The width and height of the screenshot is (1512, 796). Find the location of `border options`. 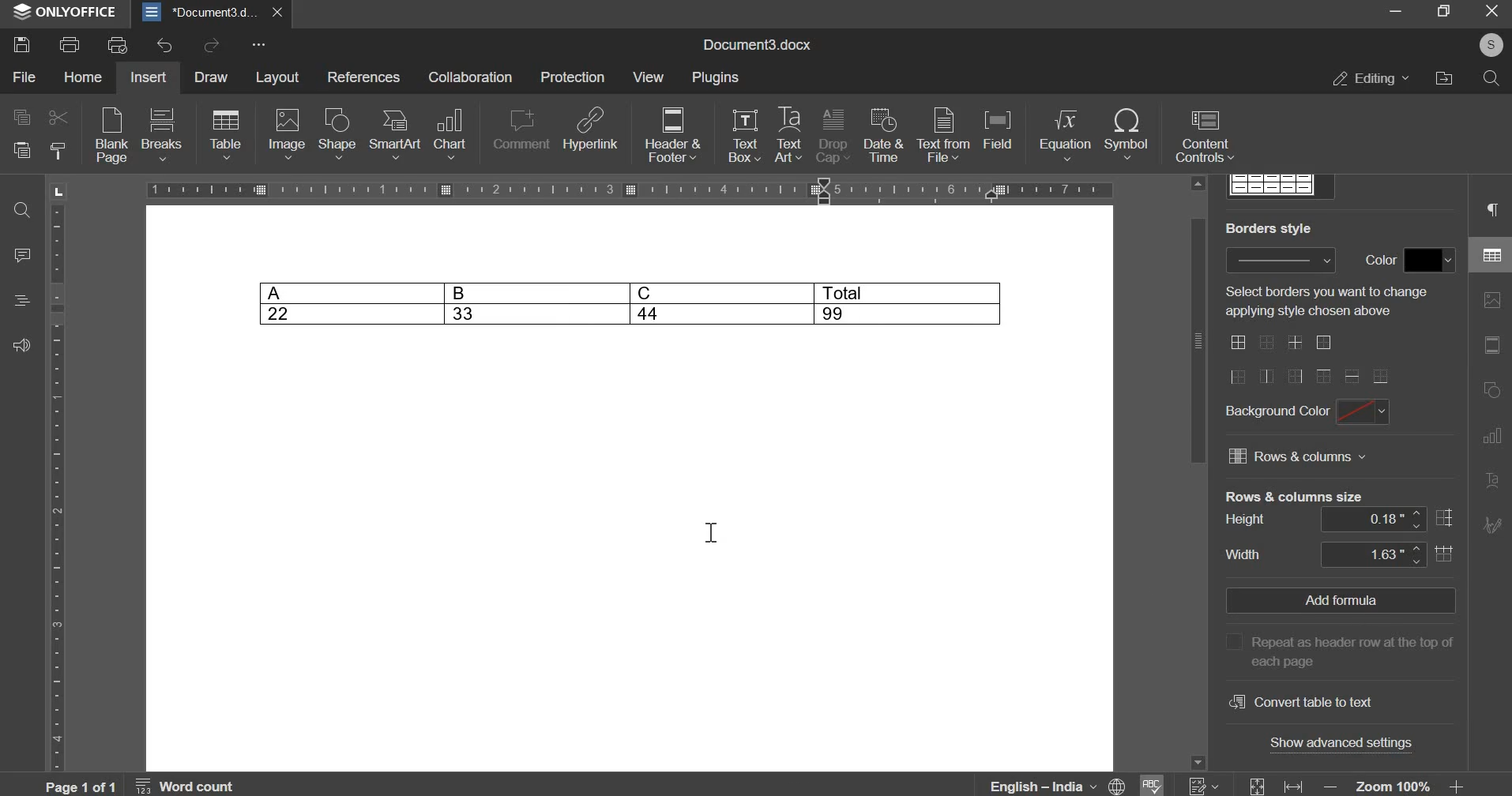

border options is located at coordinates (1309, 360).